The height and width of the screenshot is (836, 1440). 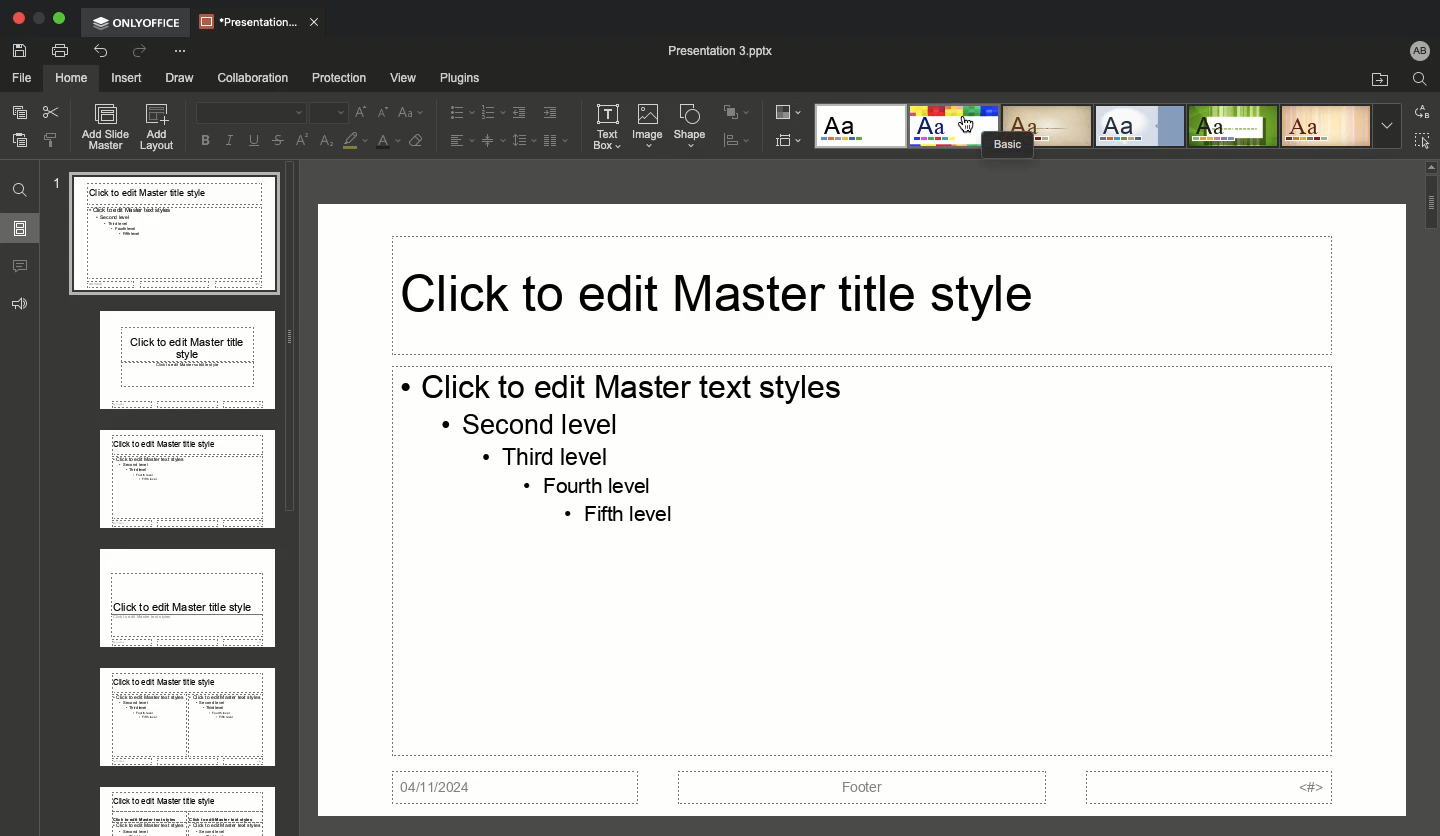 I want to click on Replace, so click(x=1423, y=112).